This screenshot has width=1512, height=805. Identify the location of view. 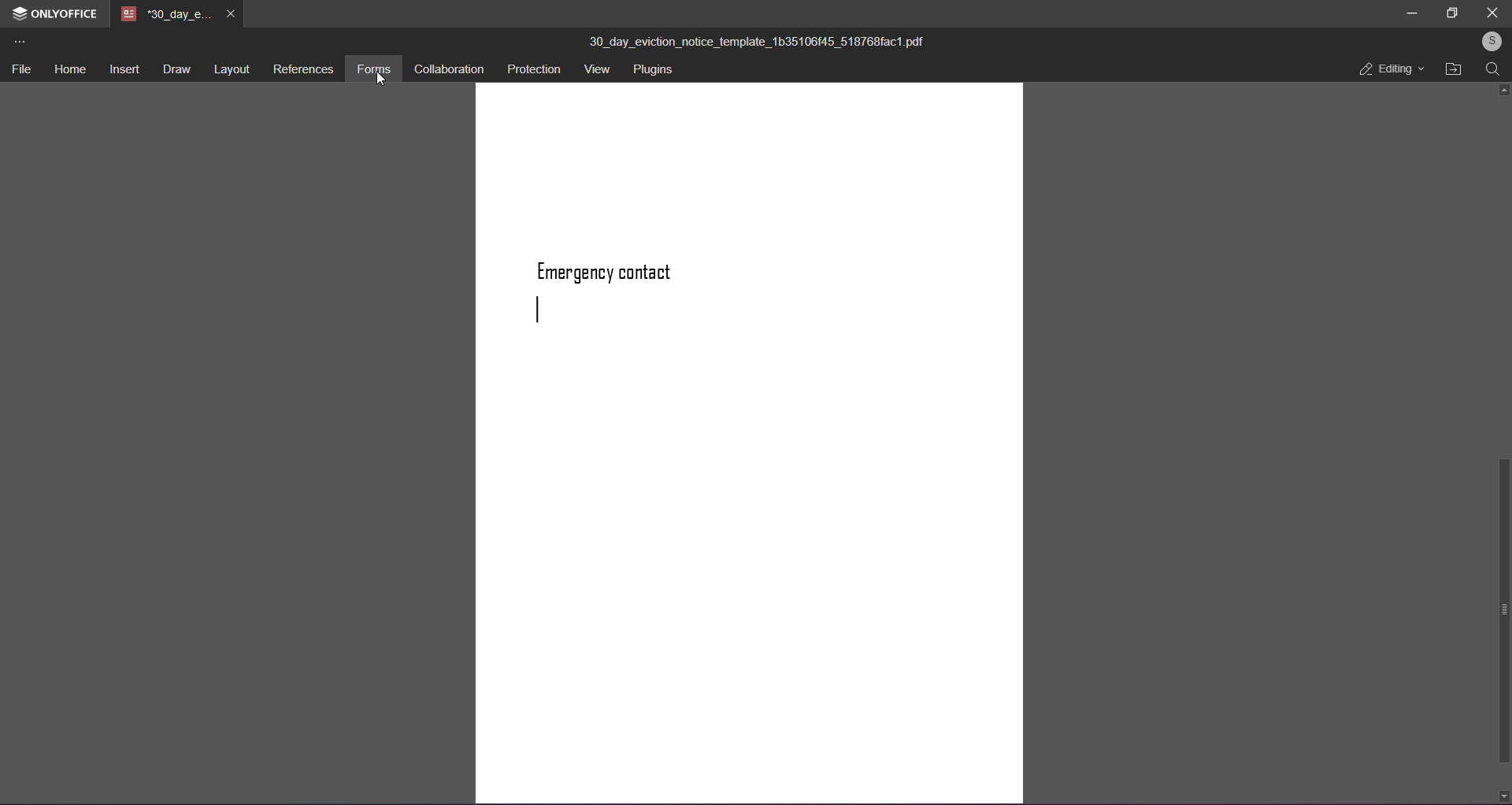
(597, 70).